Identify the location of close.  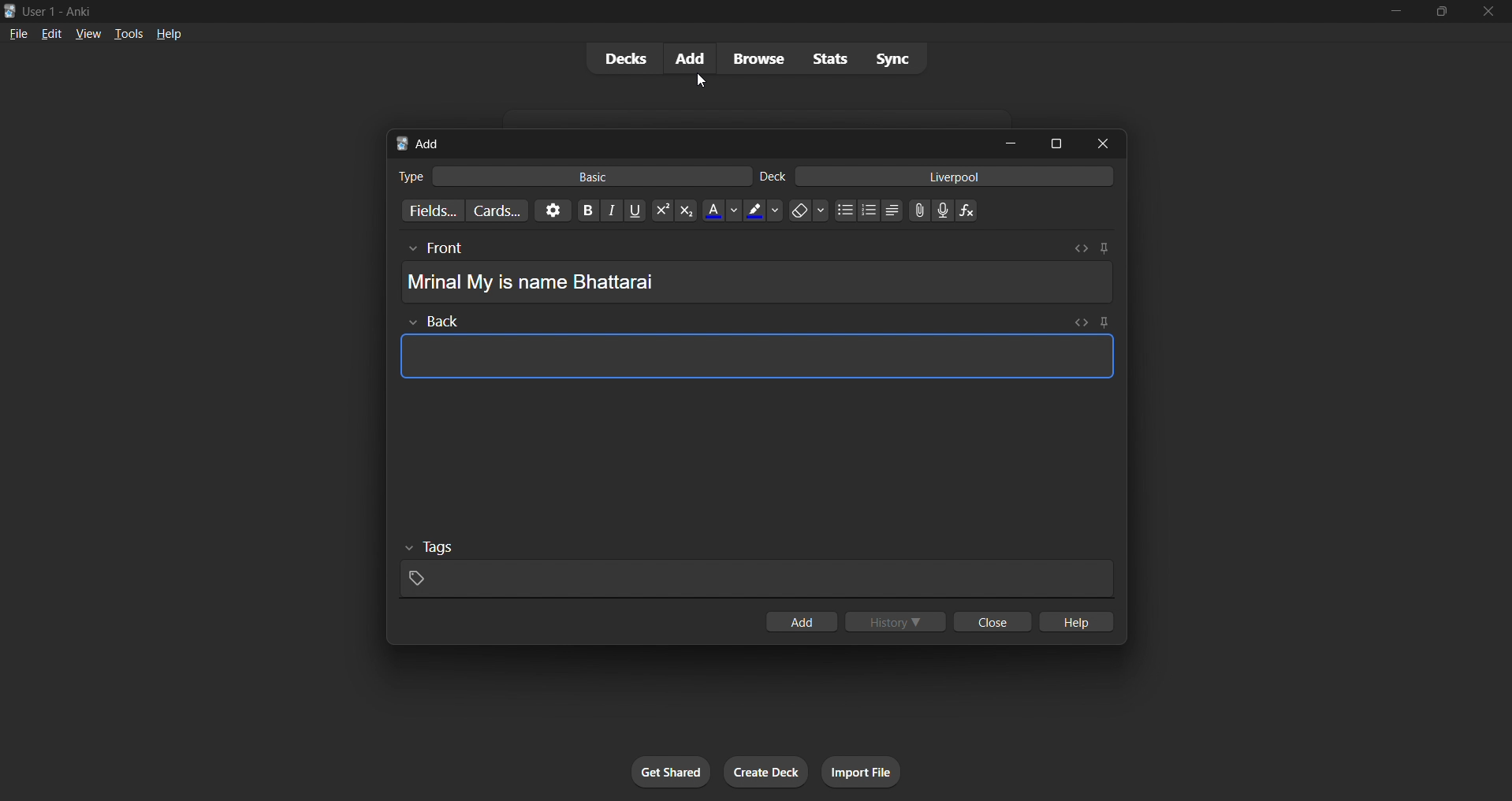
(1490, 13).